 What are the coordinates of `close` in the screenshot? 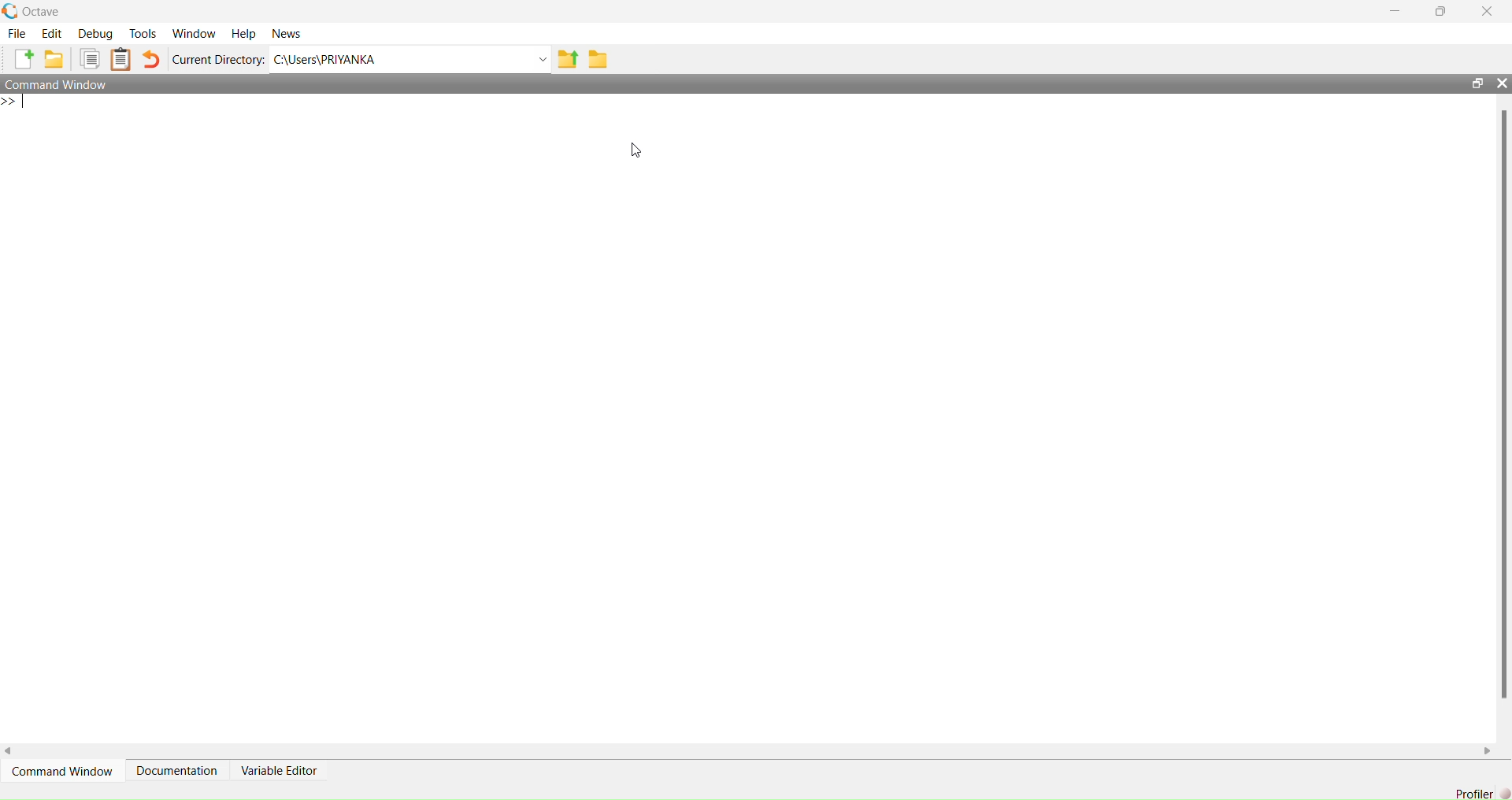 It's located at (1503, 83).